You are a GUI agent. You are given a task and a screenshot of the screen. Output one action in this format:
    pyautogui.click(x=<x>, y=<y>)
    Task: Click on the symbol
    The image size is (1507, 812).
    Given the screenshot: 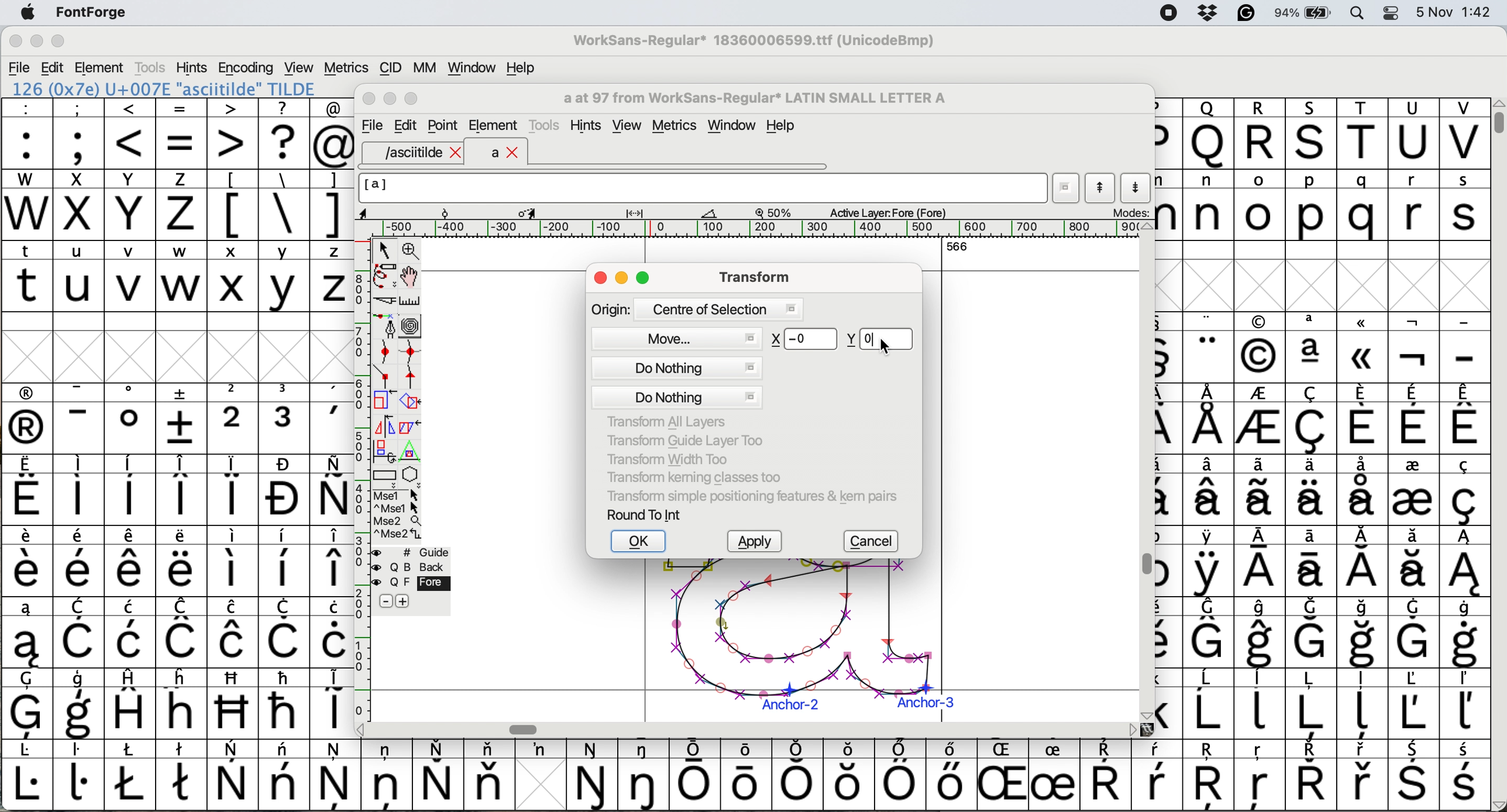 What is the action you would take?
    pyautogui.click(x=1313, y=419)
    